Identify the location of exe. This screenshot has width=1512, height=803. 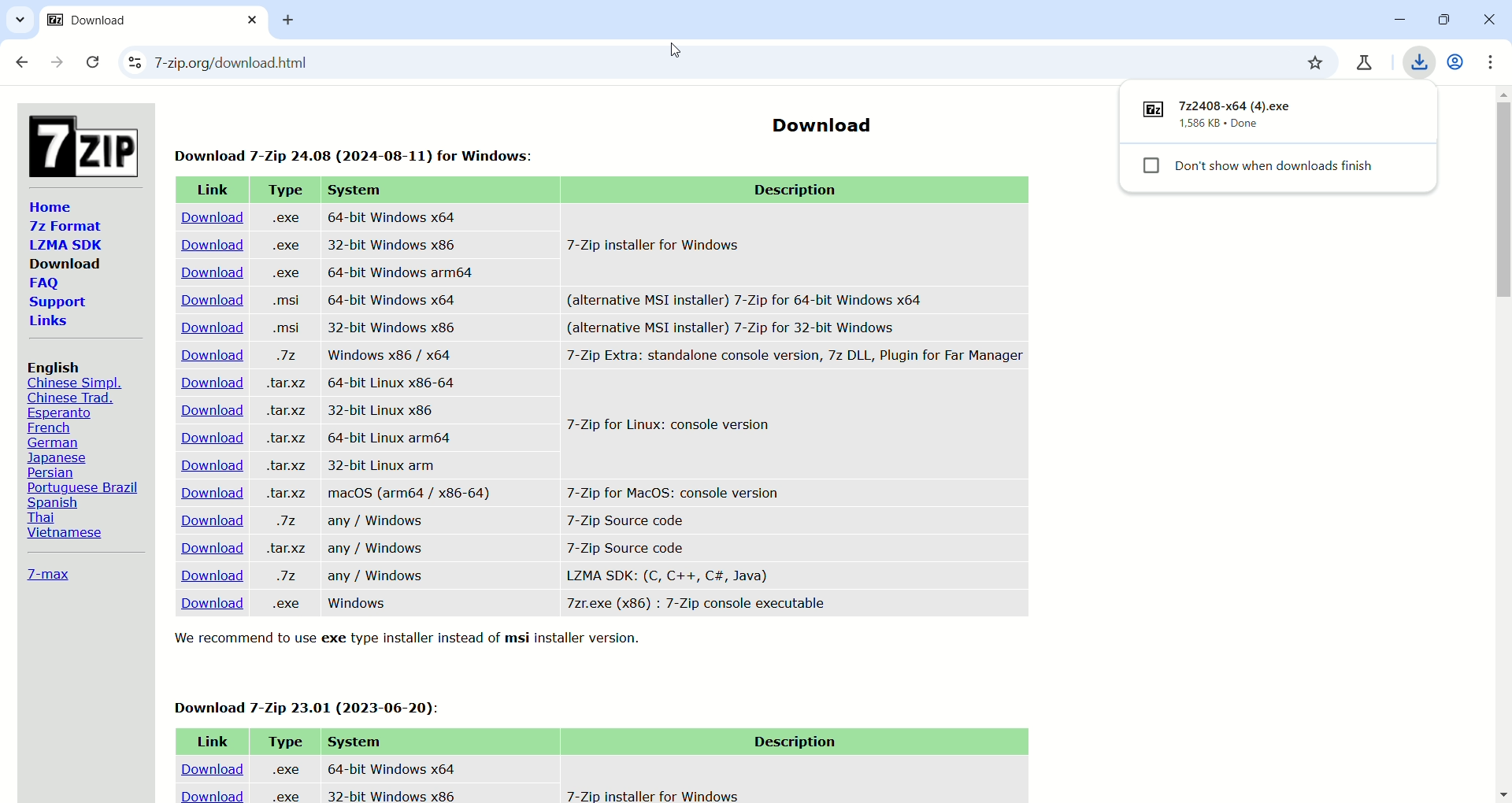
(287, 274).